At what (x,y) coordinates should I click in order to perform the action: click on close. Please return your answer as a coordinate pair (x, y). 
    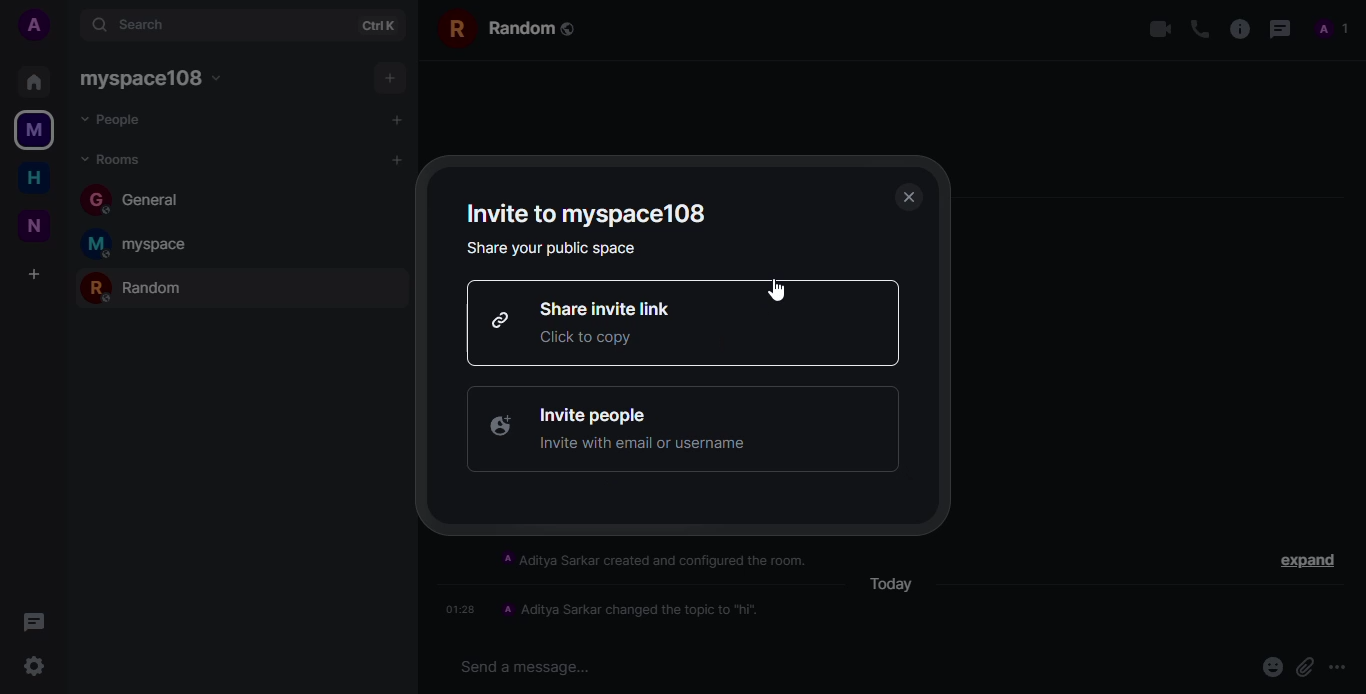
    Looking at the image, I should click on (910, 197).